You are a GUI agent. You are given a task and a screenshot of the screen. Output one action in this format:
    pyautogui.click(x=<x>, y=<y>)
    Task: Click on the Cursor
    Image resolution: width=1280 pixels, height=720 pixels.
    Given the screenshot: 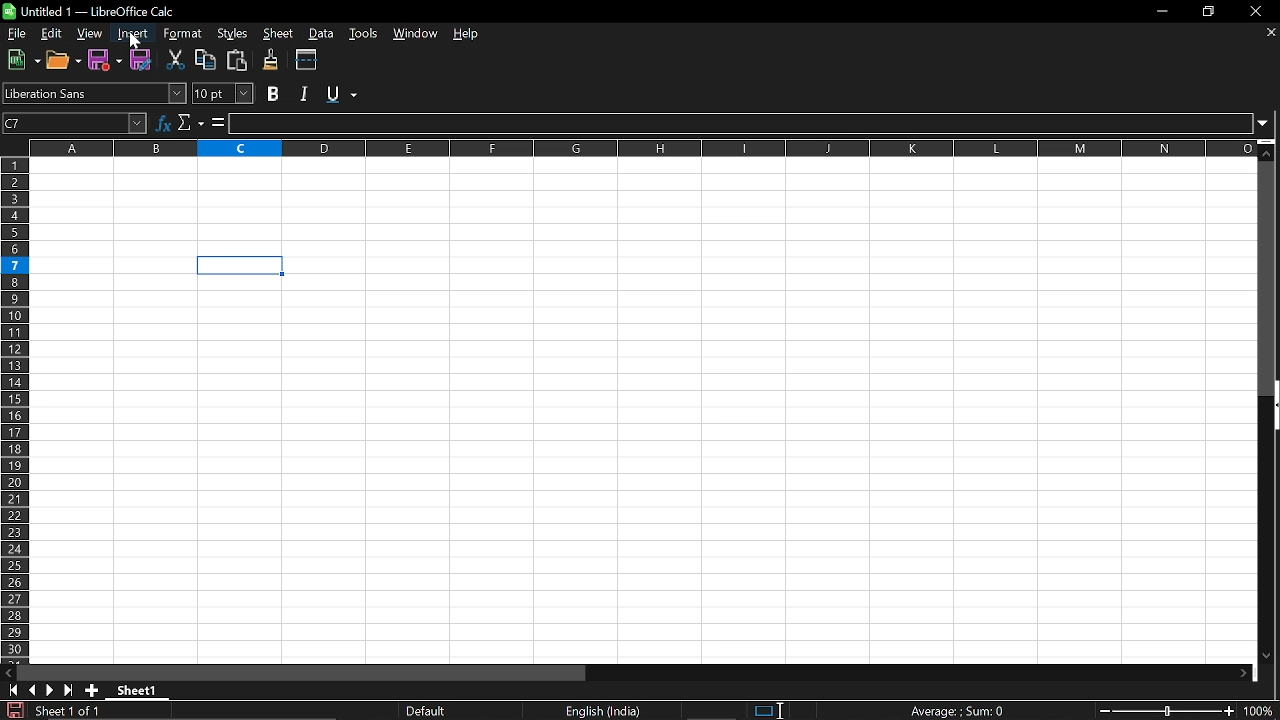 What is the action you would take?
    pyautogui.click(x=136, y=43)
    